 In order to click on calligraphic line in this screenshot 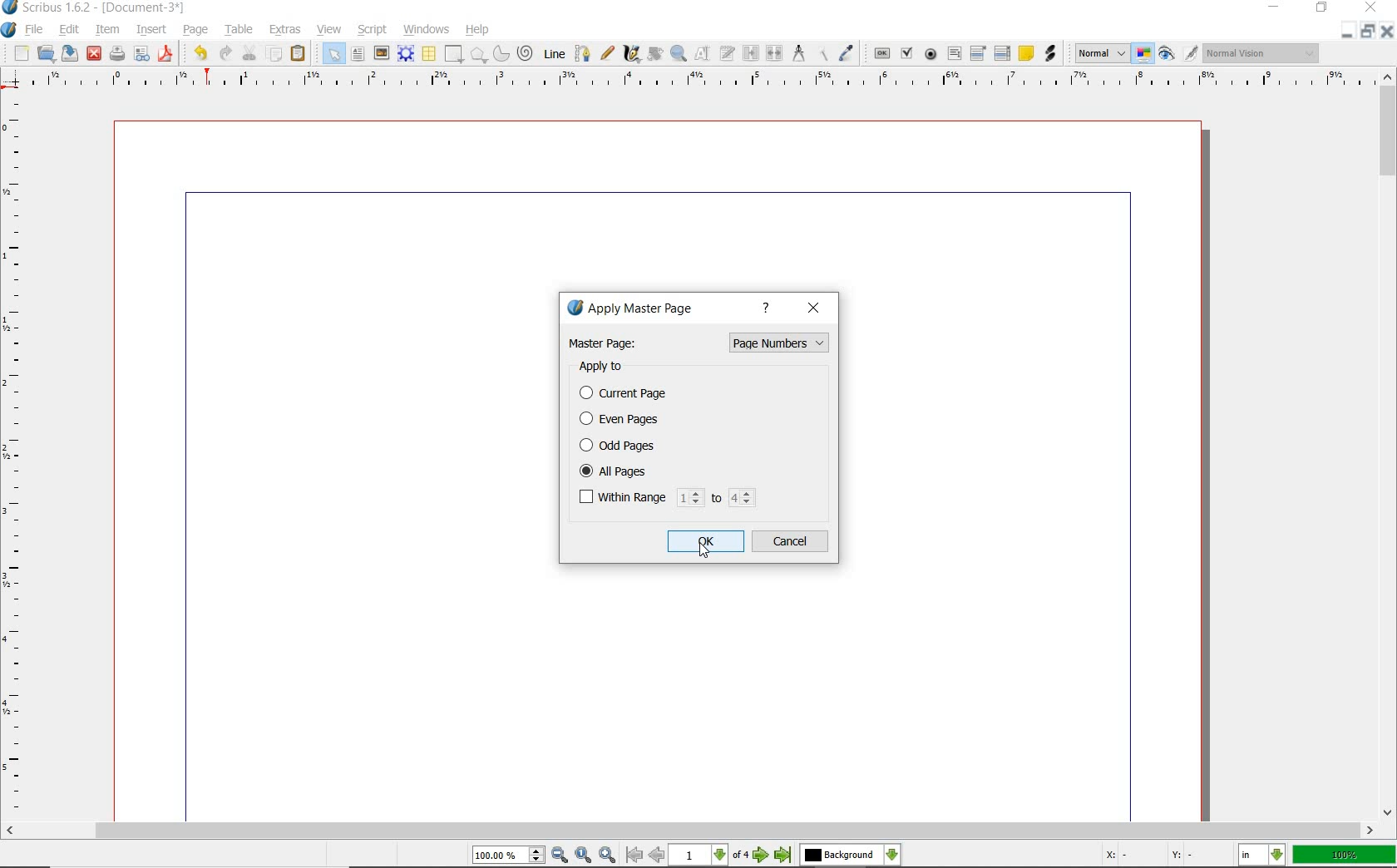, I will do `click(632, 55)`.